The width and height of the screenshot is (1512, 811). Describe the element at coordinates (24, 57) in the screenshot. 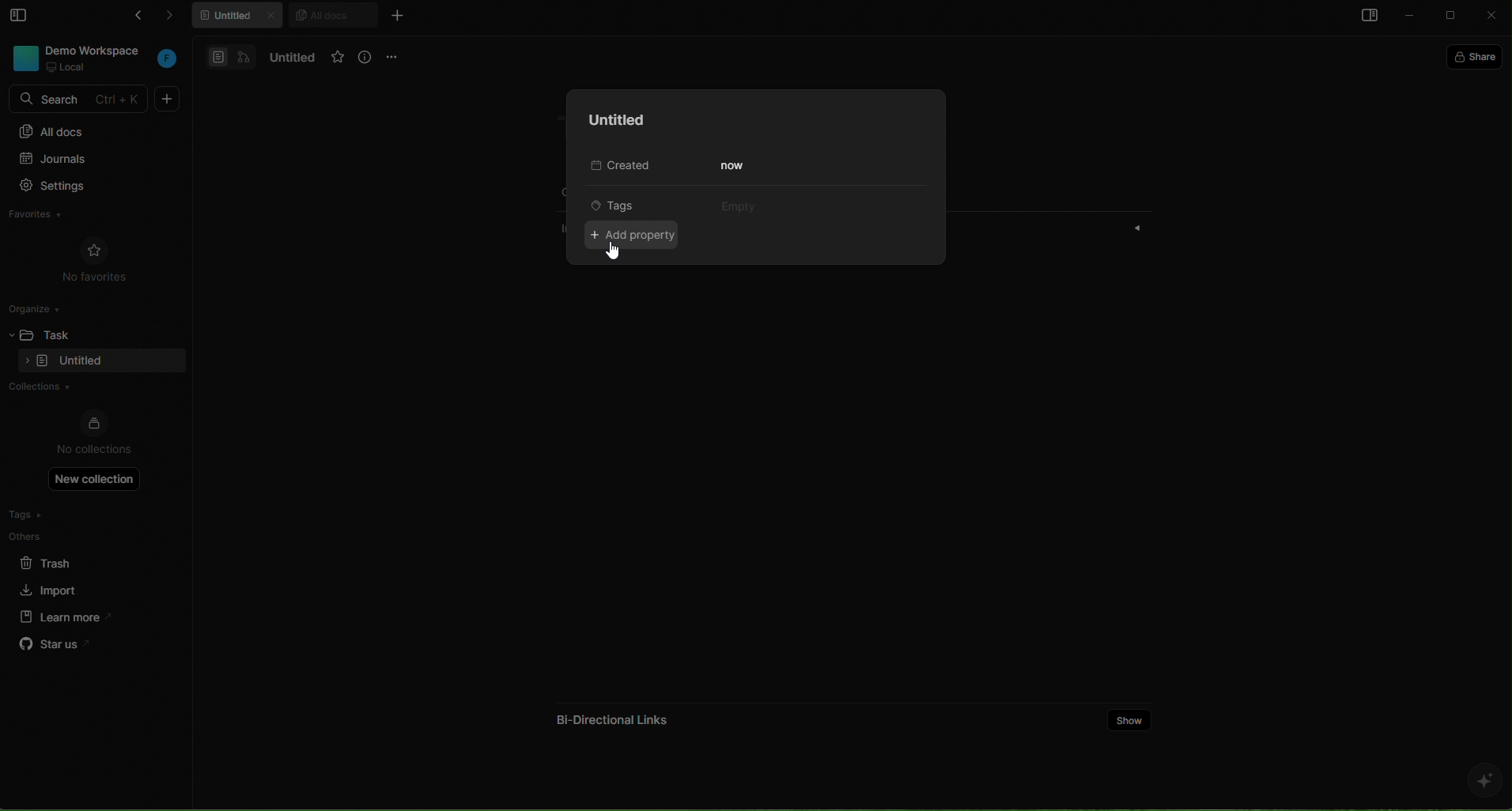

I see `workspace photo` at that location.